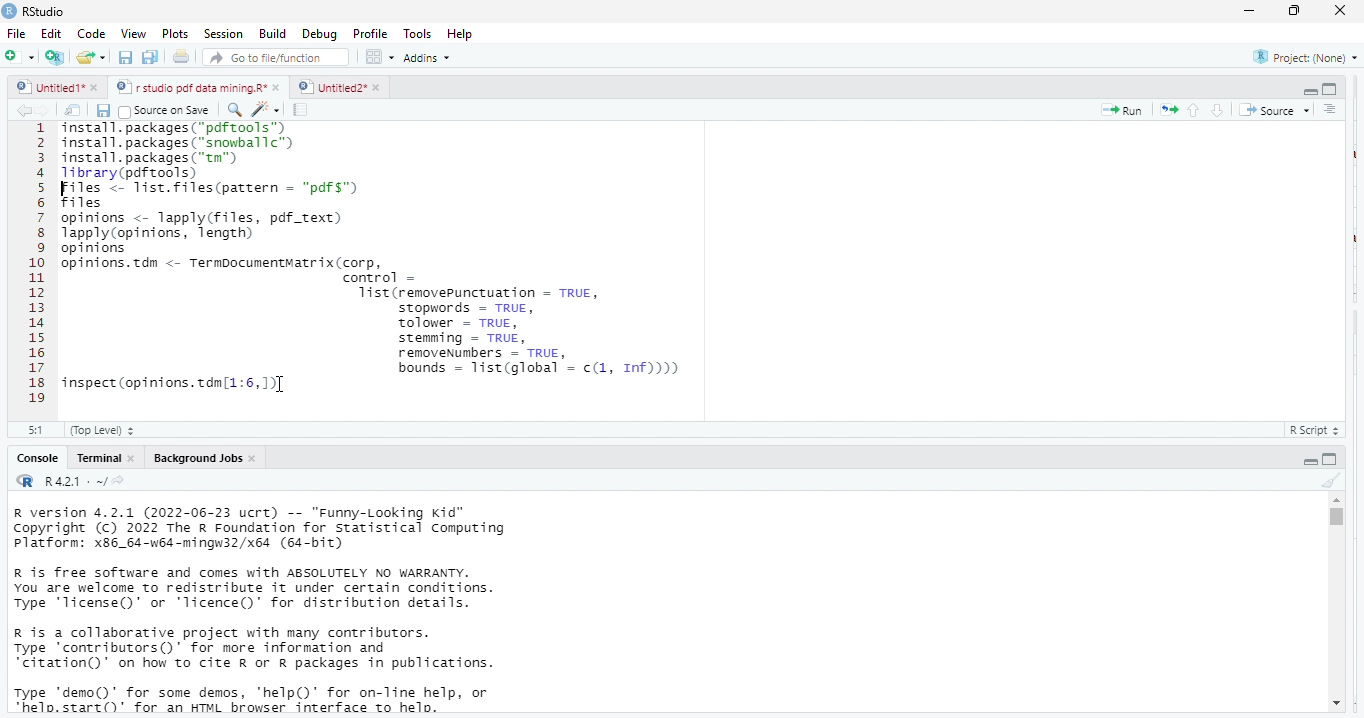 The image size is (1364, 718). What do you see at coordinates (1335, 705) in the screenshot?
I see `scroll down` at bounding box center [1335, 705].